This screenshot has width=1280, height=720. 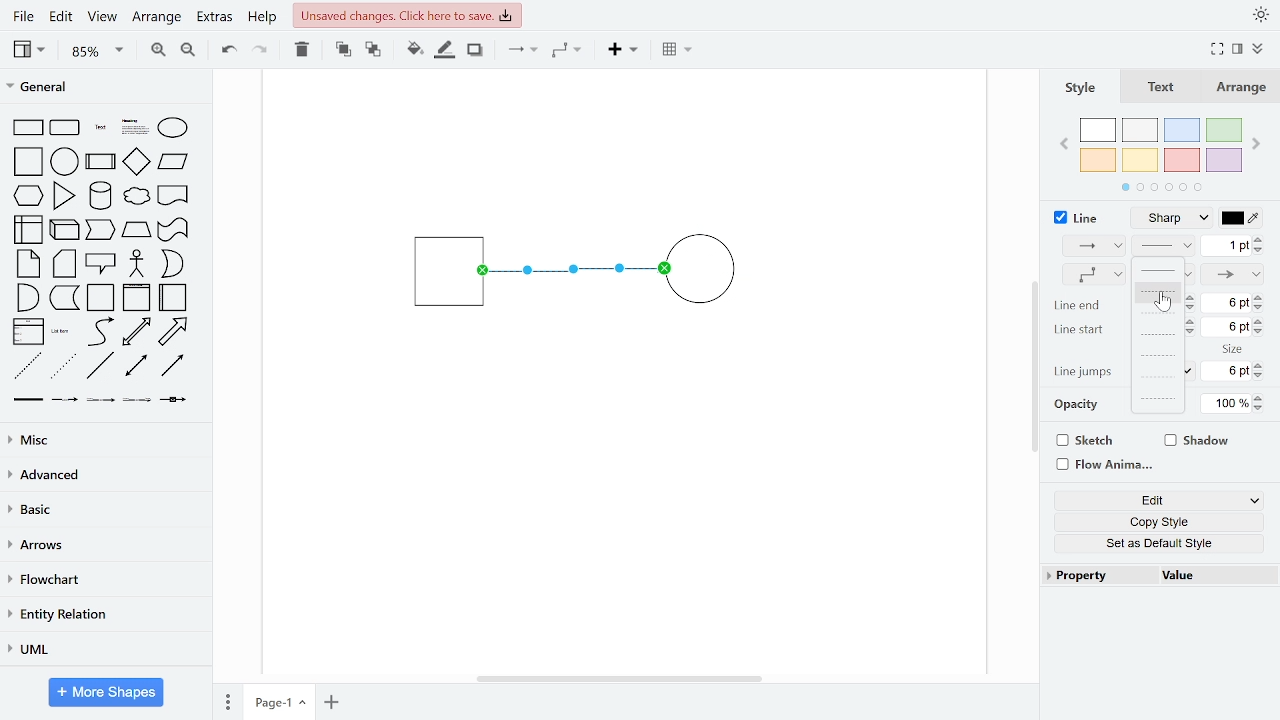 What do you see at coordinates (173, 161) in the screenshot?
I see `paralellogram` at bounding box center [173, 161].